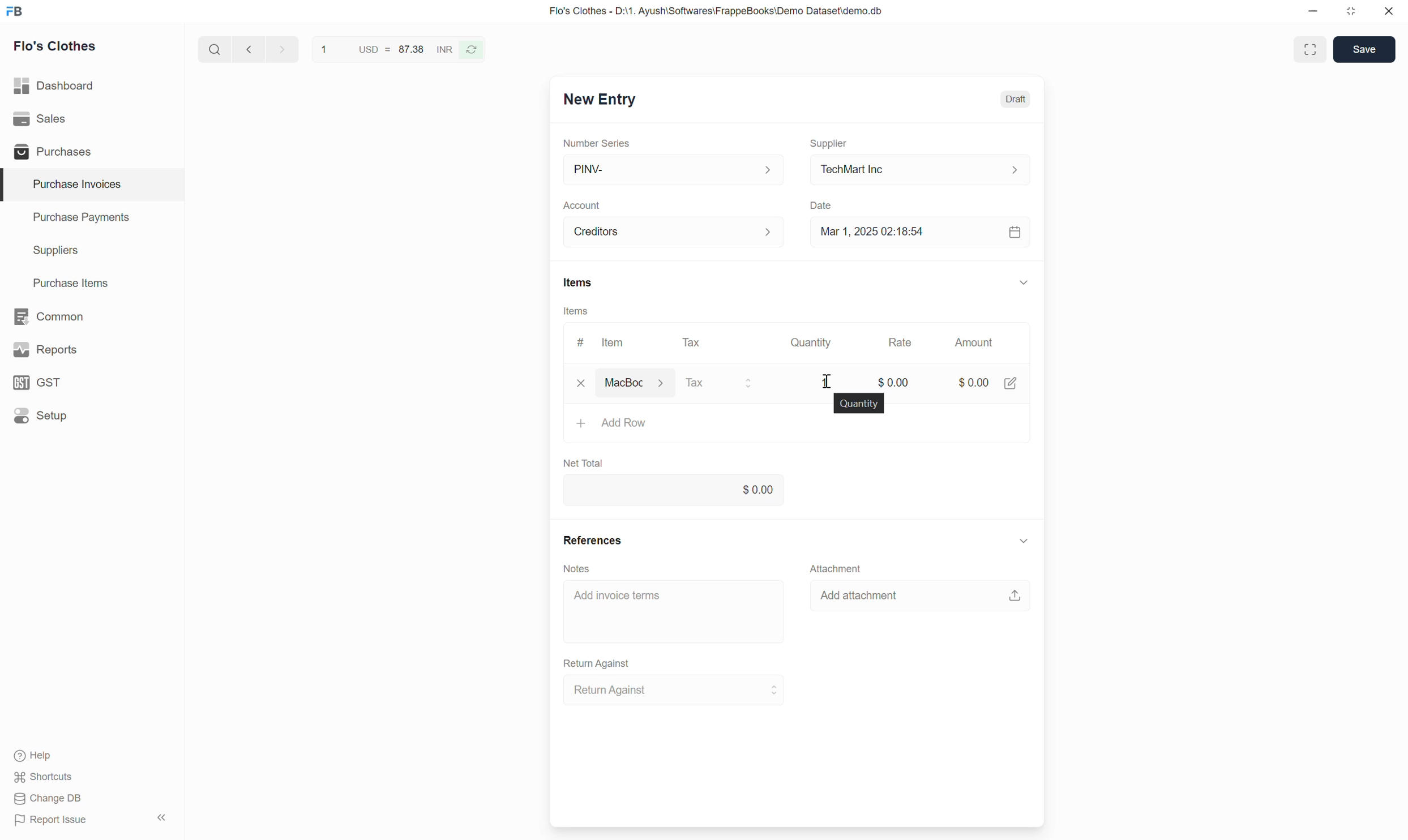  I want to click on Tax, so click(695, 342).